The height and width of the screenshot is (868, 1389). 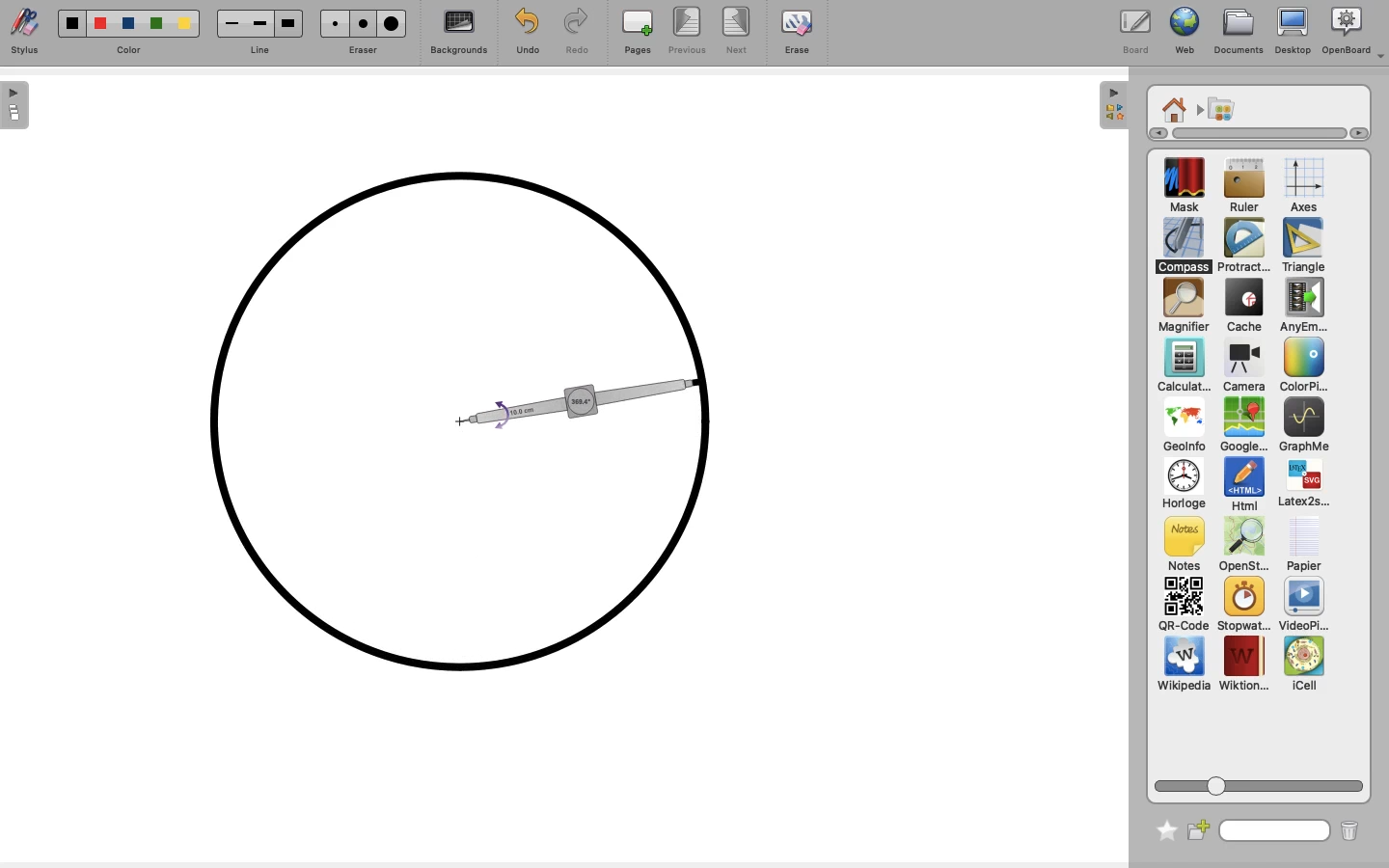 I want to click on Backgrounds, so click(x=456, y=35).